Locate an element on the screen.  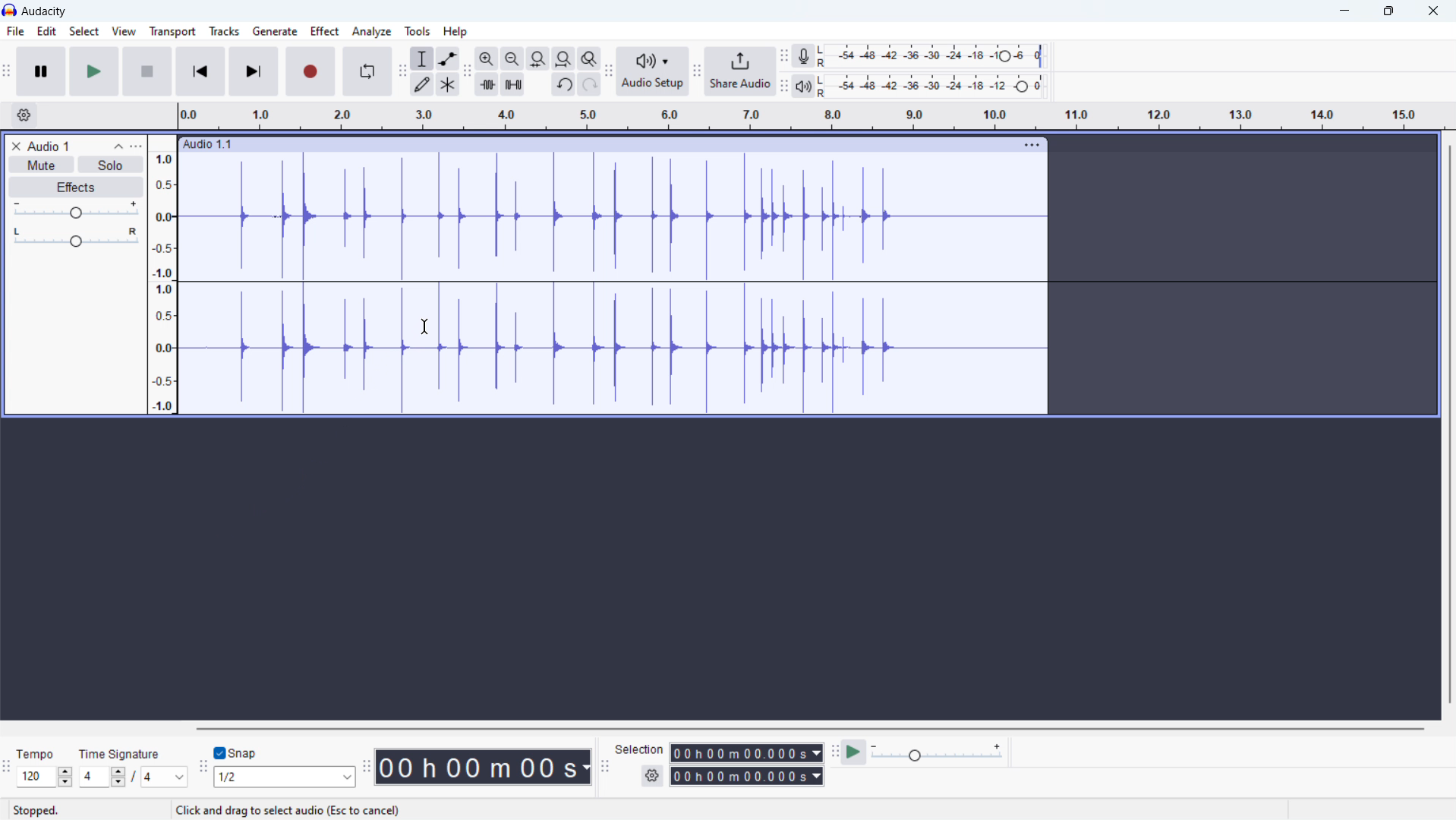
solo is located at coordinates (112, 164).